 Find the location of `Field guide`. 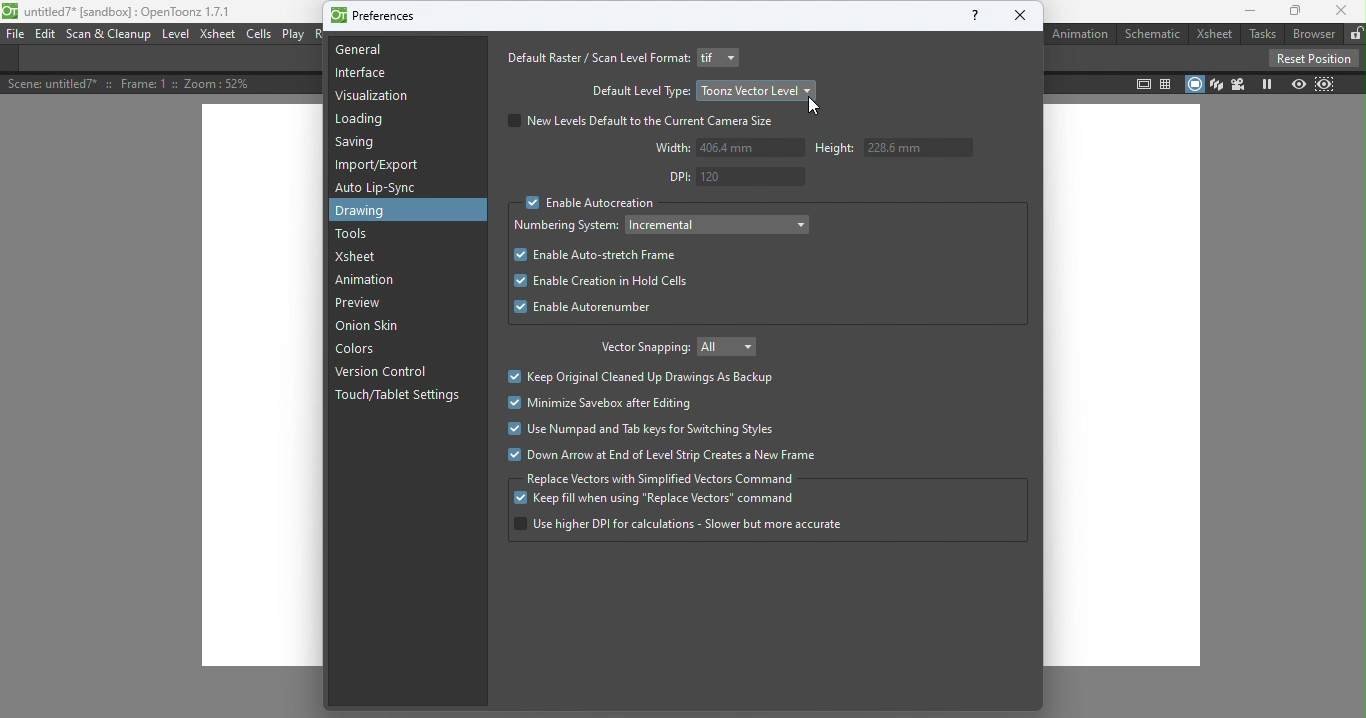

Field guide is located at coordinates (1168, 82).